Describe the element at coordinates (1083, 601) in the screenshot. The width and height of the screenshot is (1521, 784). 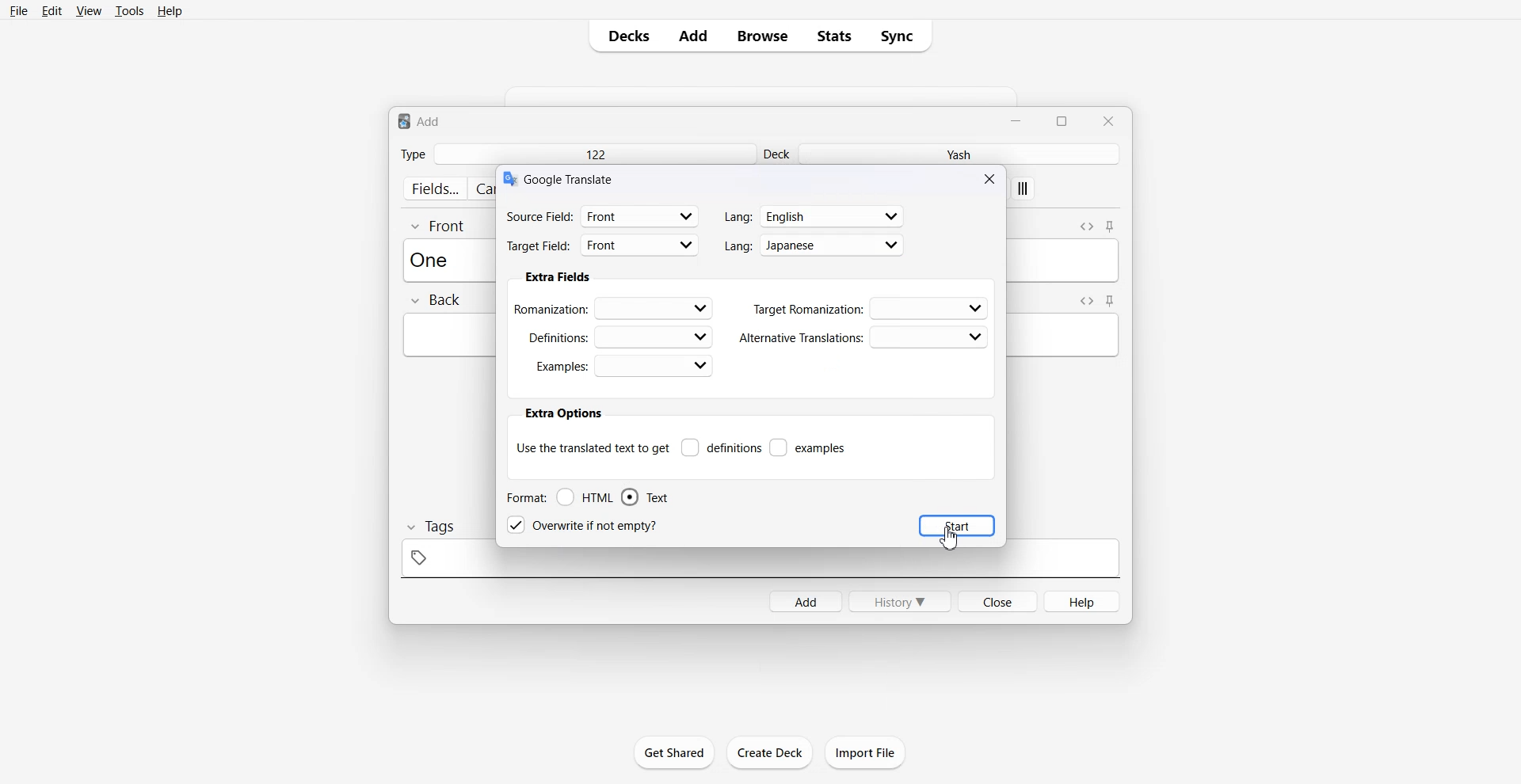
I see `Help` at that location.